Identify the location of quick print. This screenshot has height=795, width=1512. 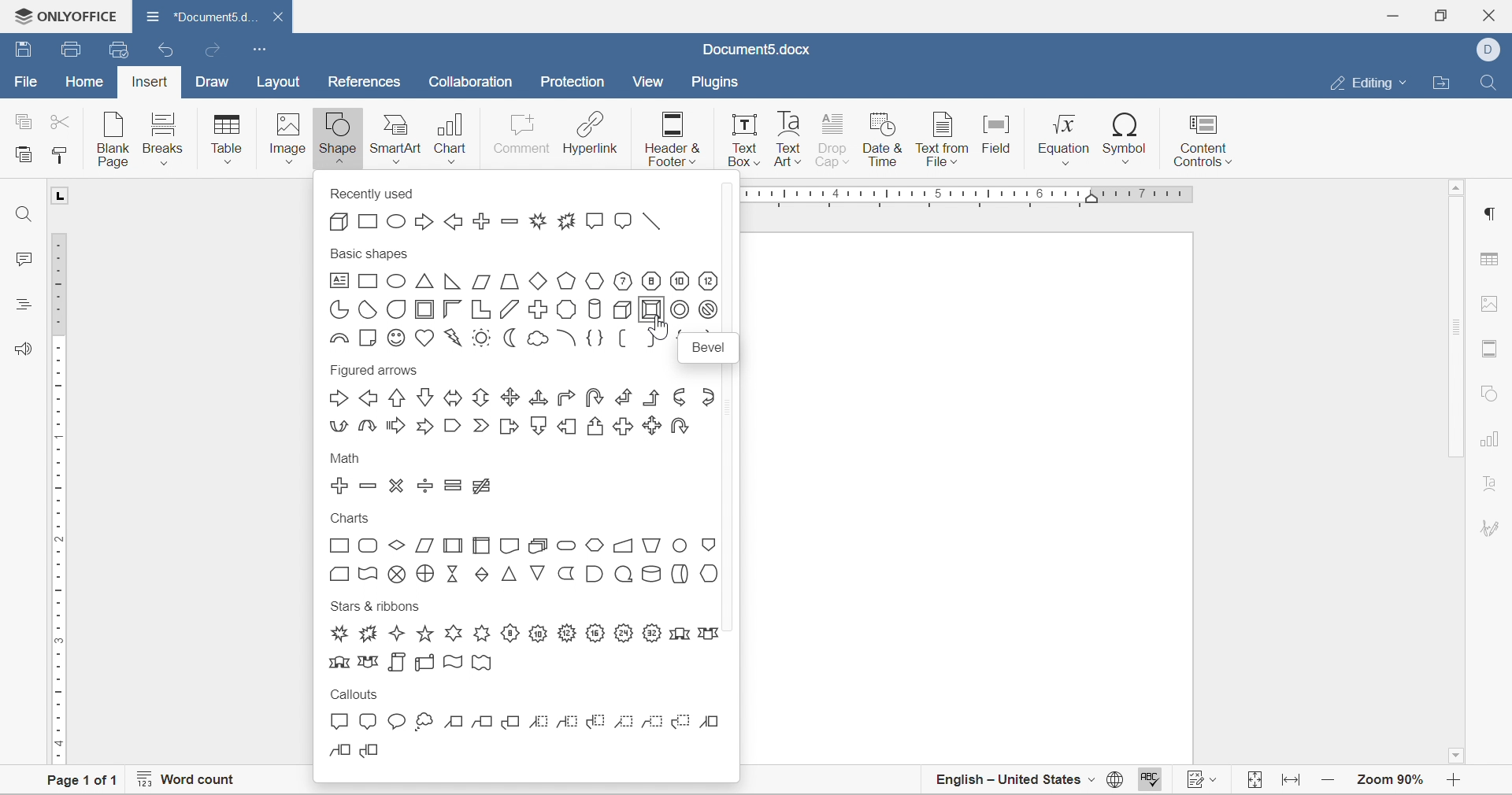
(120, 47).